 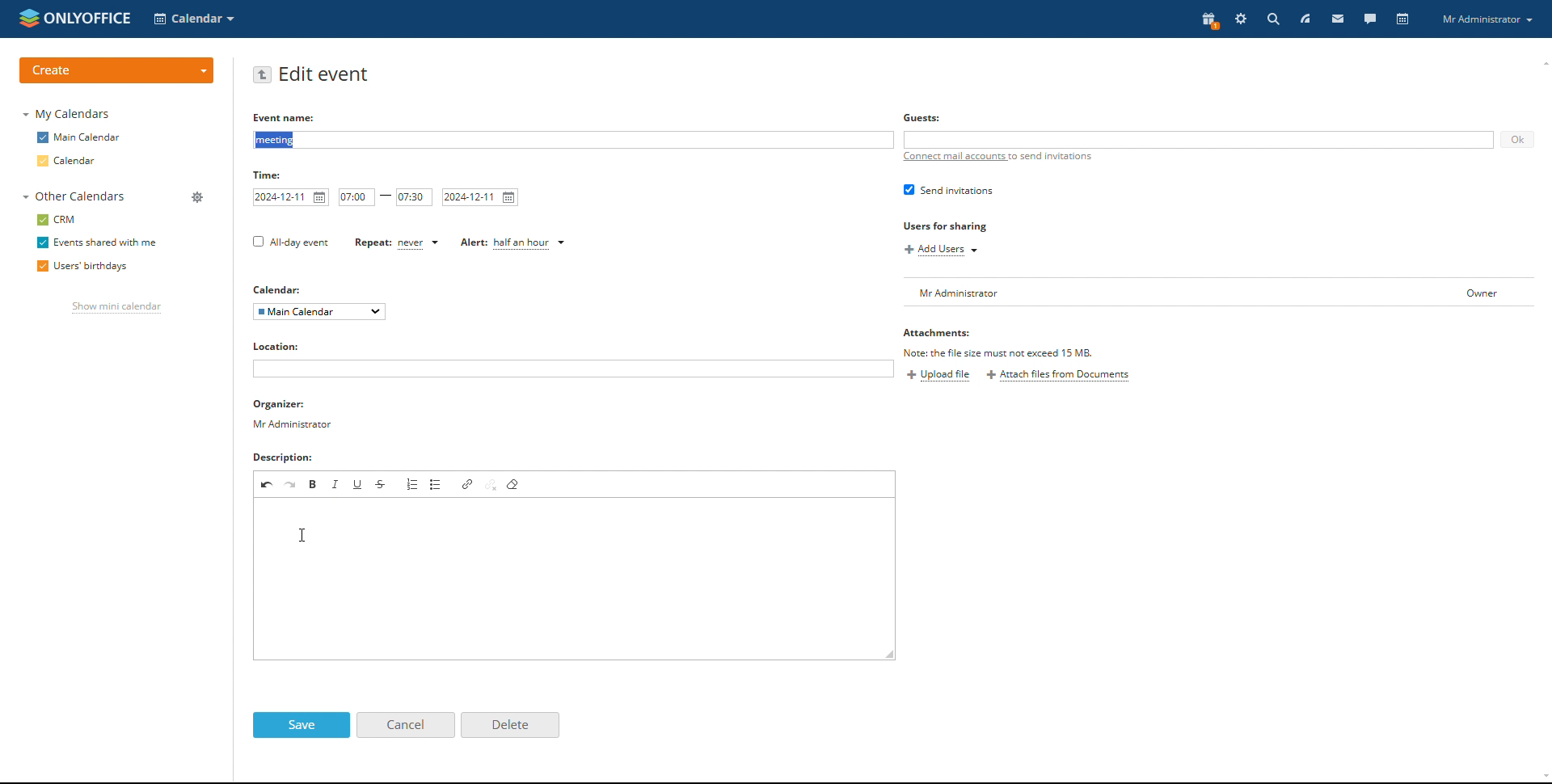 What do you see at coordinates (1305, 19) in the screenshot?
I see `feed` at bounding box center [1305, 19].